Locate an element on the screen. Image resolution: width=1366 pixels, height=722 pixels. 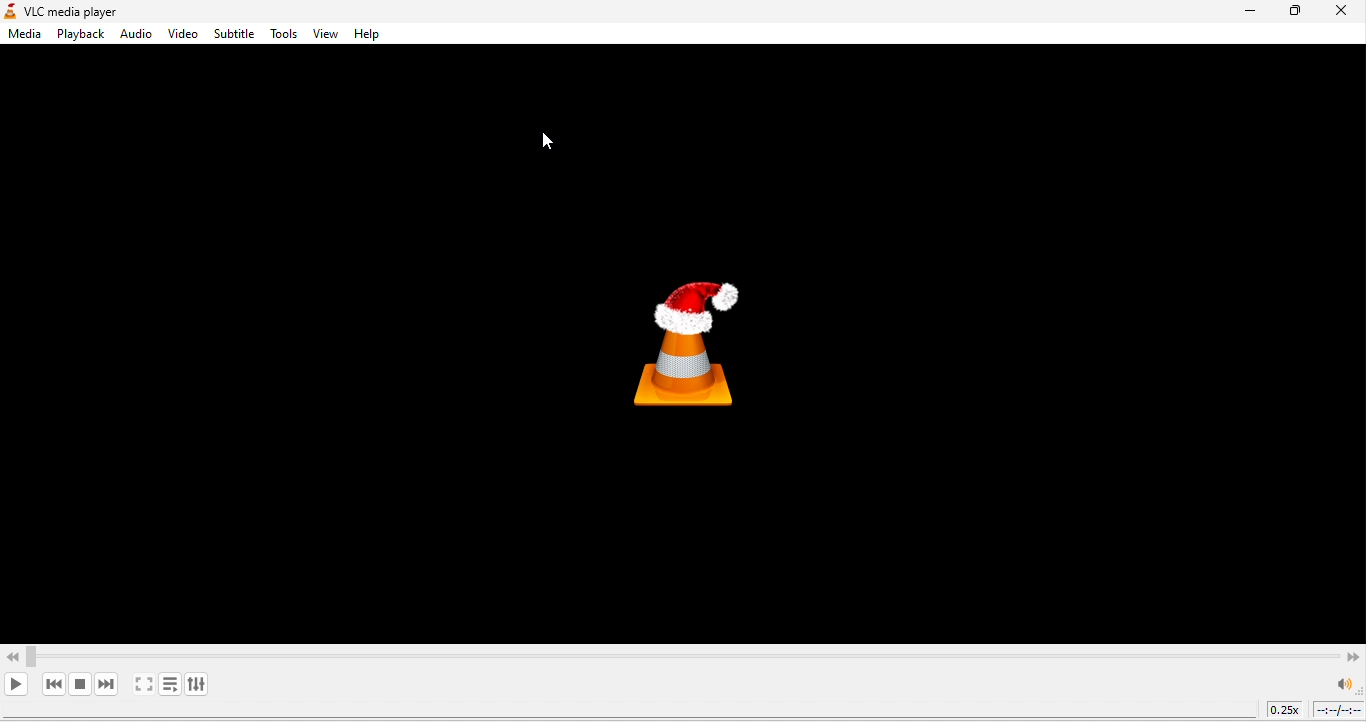
CURSOR is located at coordinates (549, 143).